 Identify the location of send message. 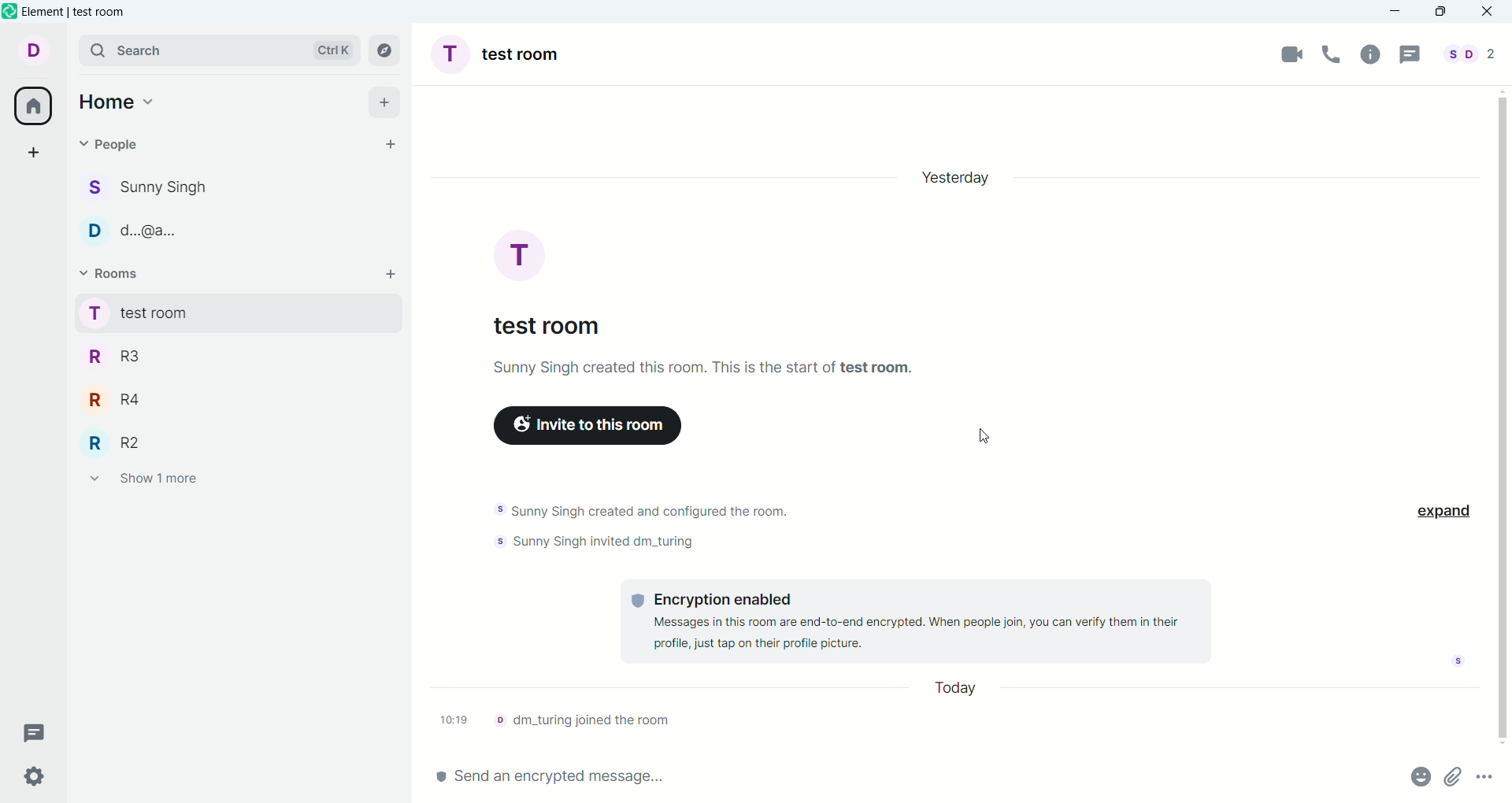
(551, 776).